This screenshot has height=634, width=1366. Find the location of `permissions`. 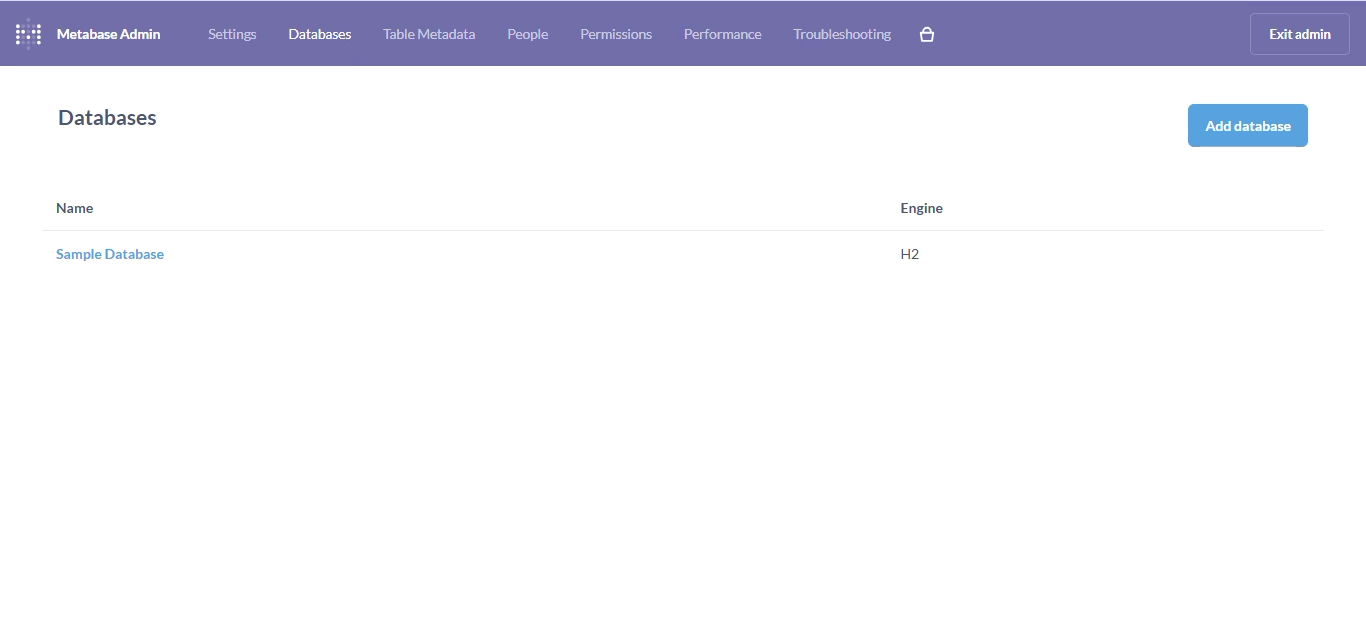

permissions is located at coordinates (616, 34).